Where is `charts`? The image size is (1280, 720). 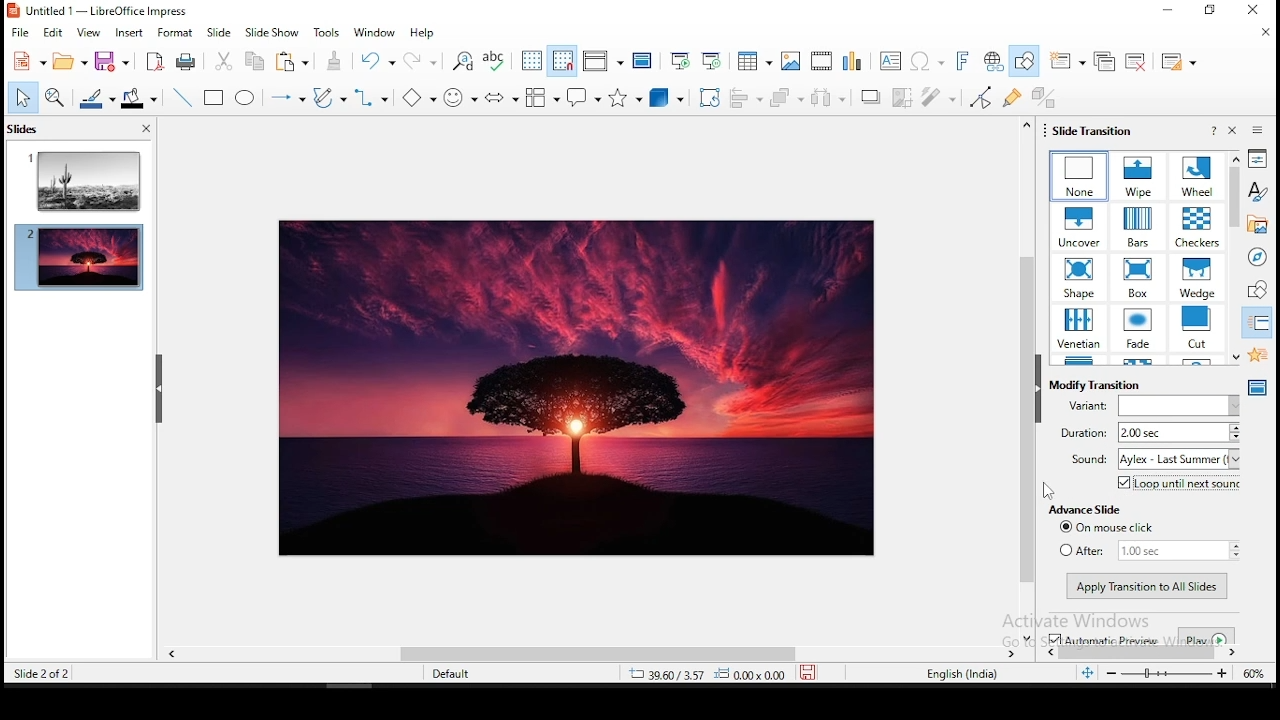
charts is located at coordinates (856, 61).